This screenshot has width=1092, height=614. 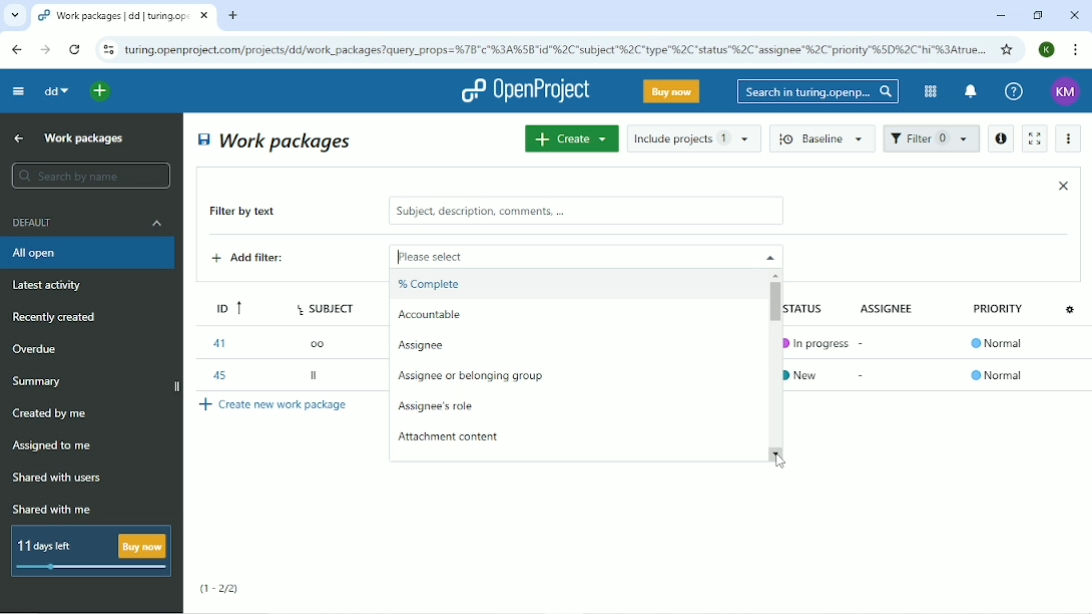 What do you see at coordinates (861, 378) in the screenshot?
I see `-` at bounding box center [861, 378].